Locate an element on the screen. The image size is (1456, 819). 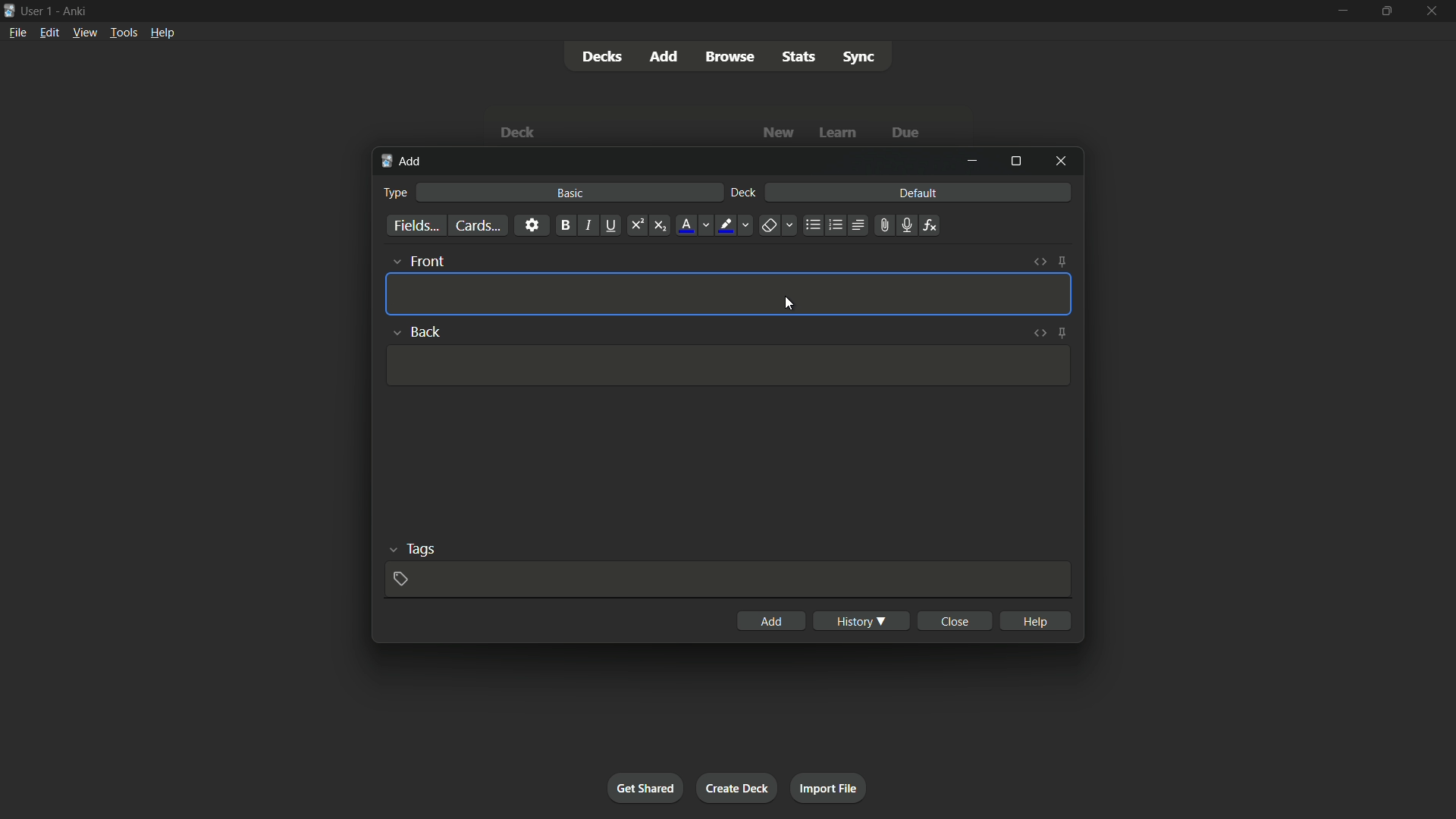
minimize is located at coordinates (1341, 10).